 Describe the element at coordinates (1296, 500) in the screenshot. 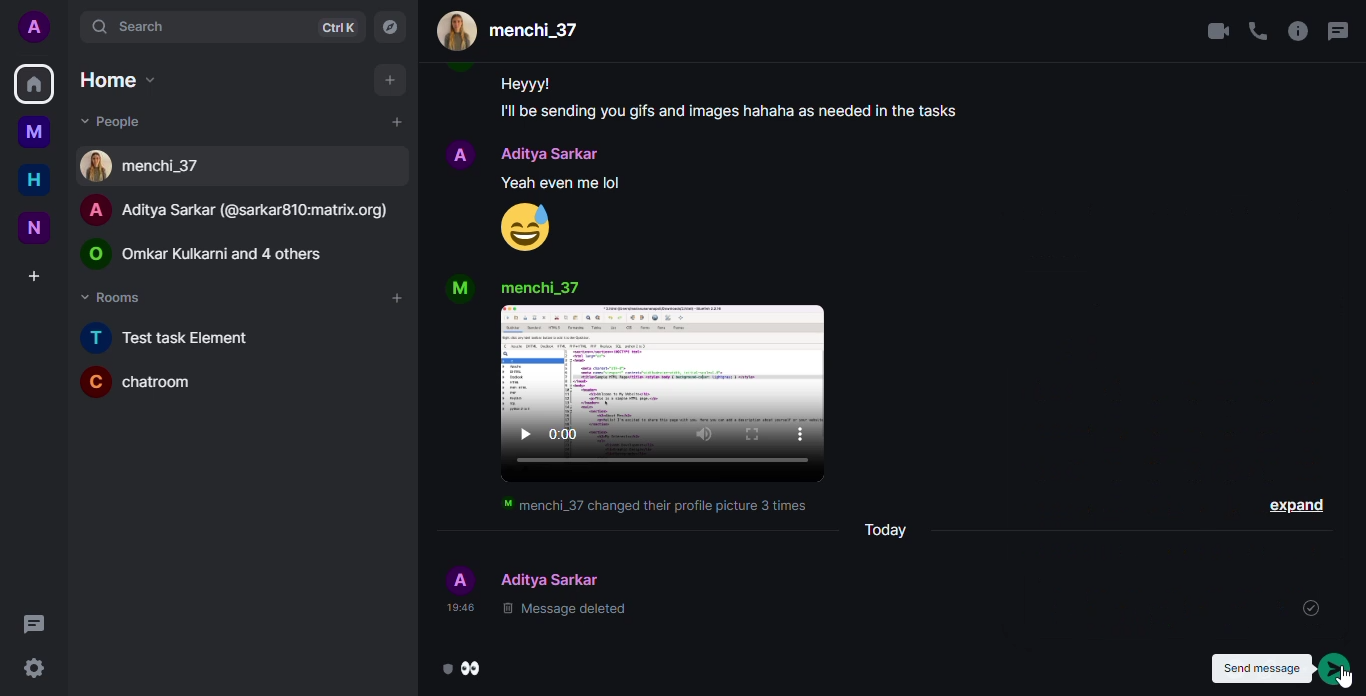

I see `expand` at that location.